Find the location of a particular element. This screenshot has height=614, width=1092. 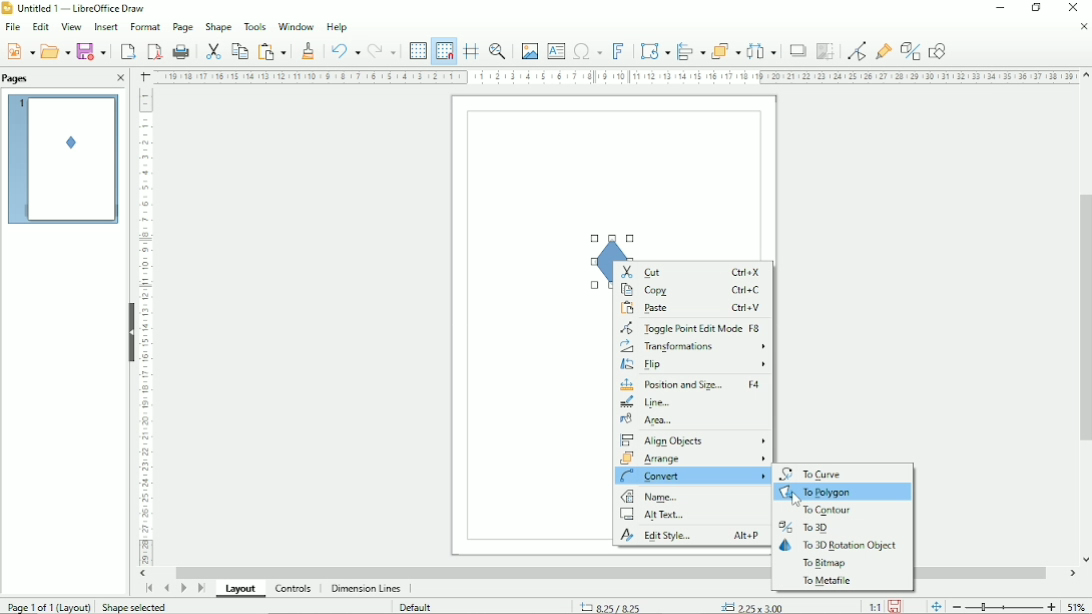

Flip is located at coordinates (692, 367).